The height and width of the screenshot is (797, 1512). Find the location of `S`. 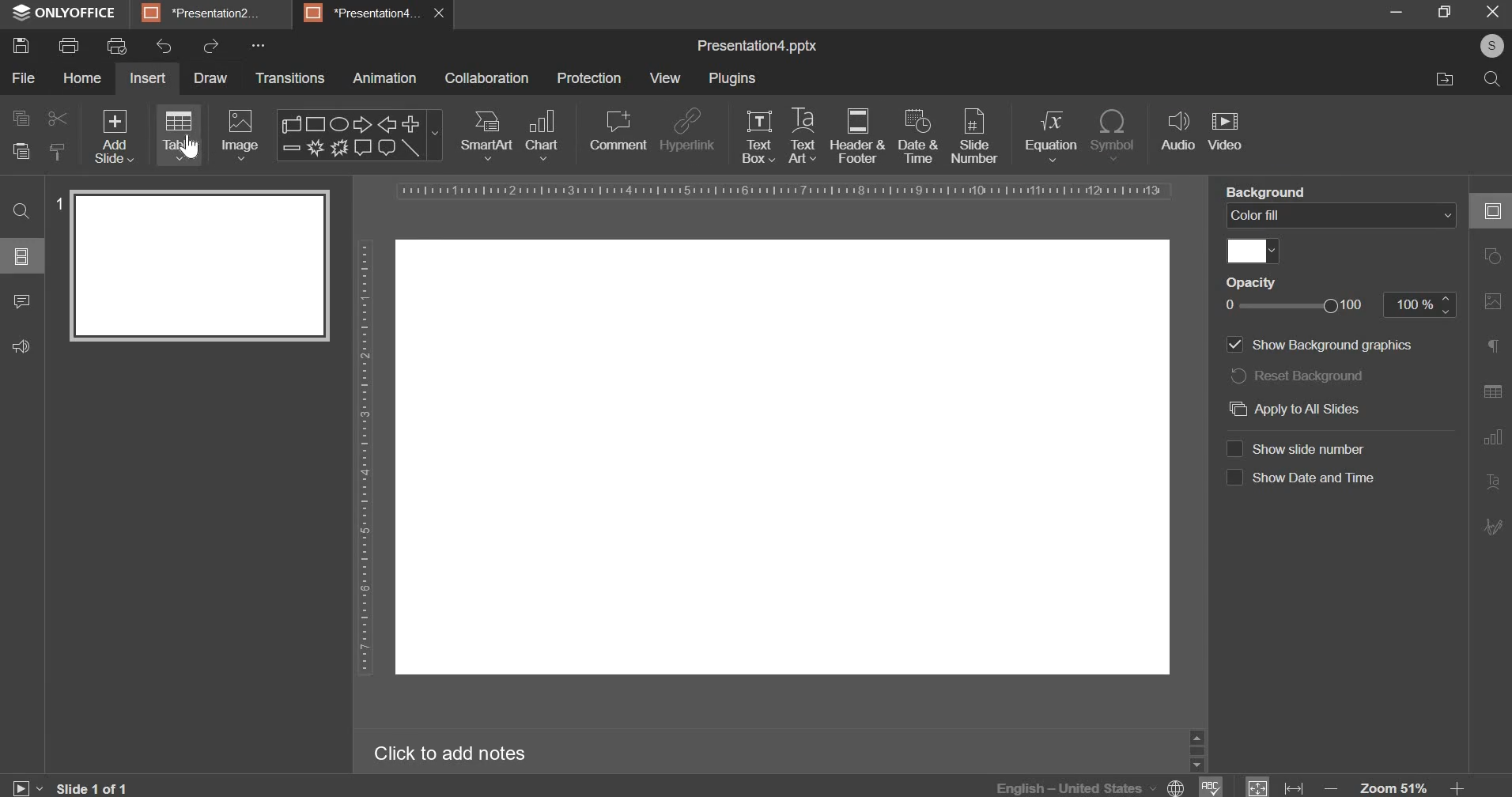

S is located at coordinates (1495, 46).